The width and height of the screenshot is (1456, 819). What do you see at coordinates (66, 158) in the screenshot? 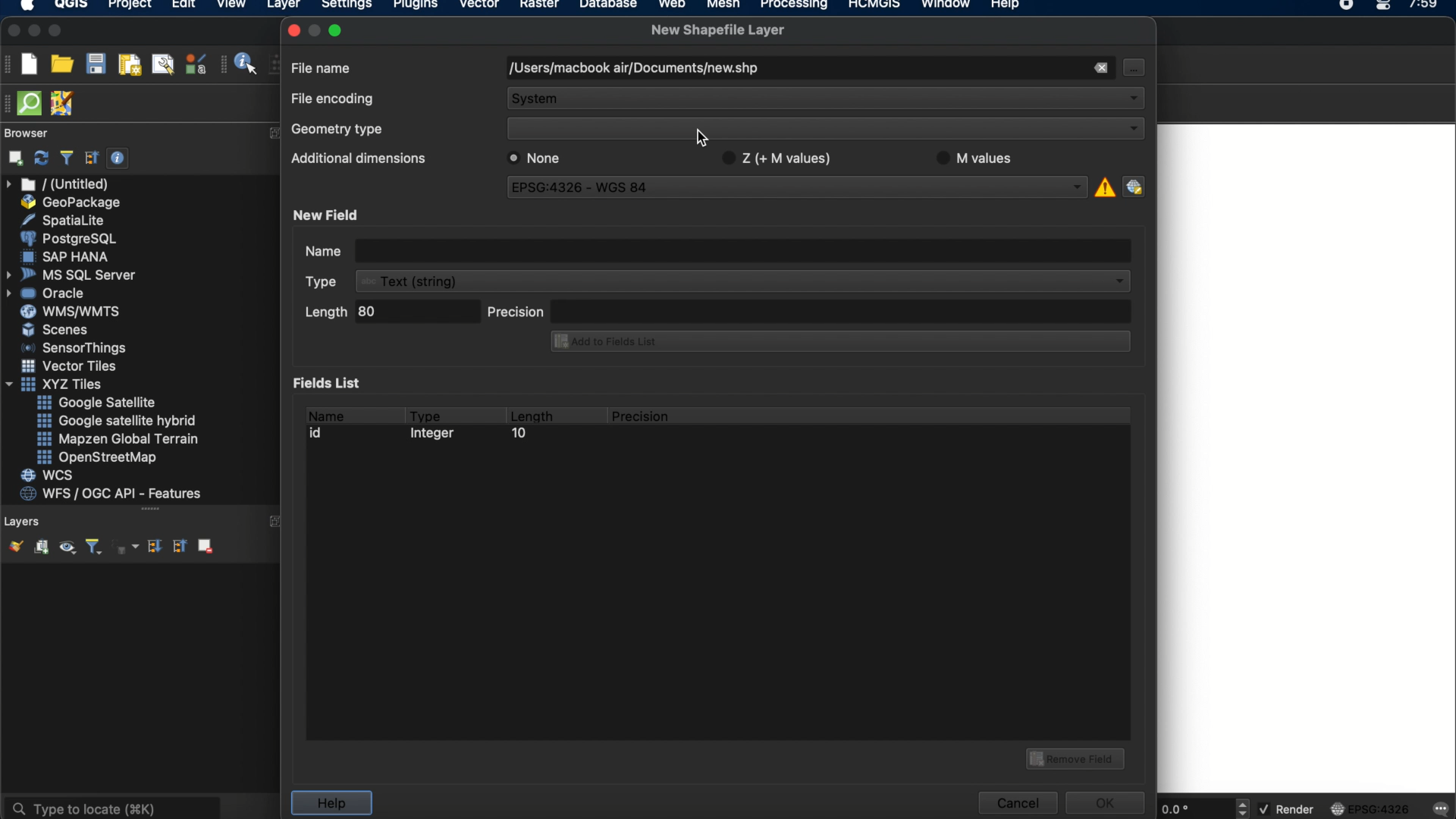
I see `filter browser` at bounding box center [66, 158].